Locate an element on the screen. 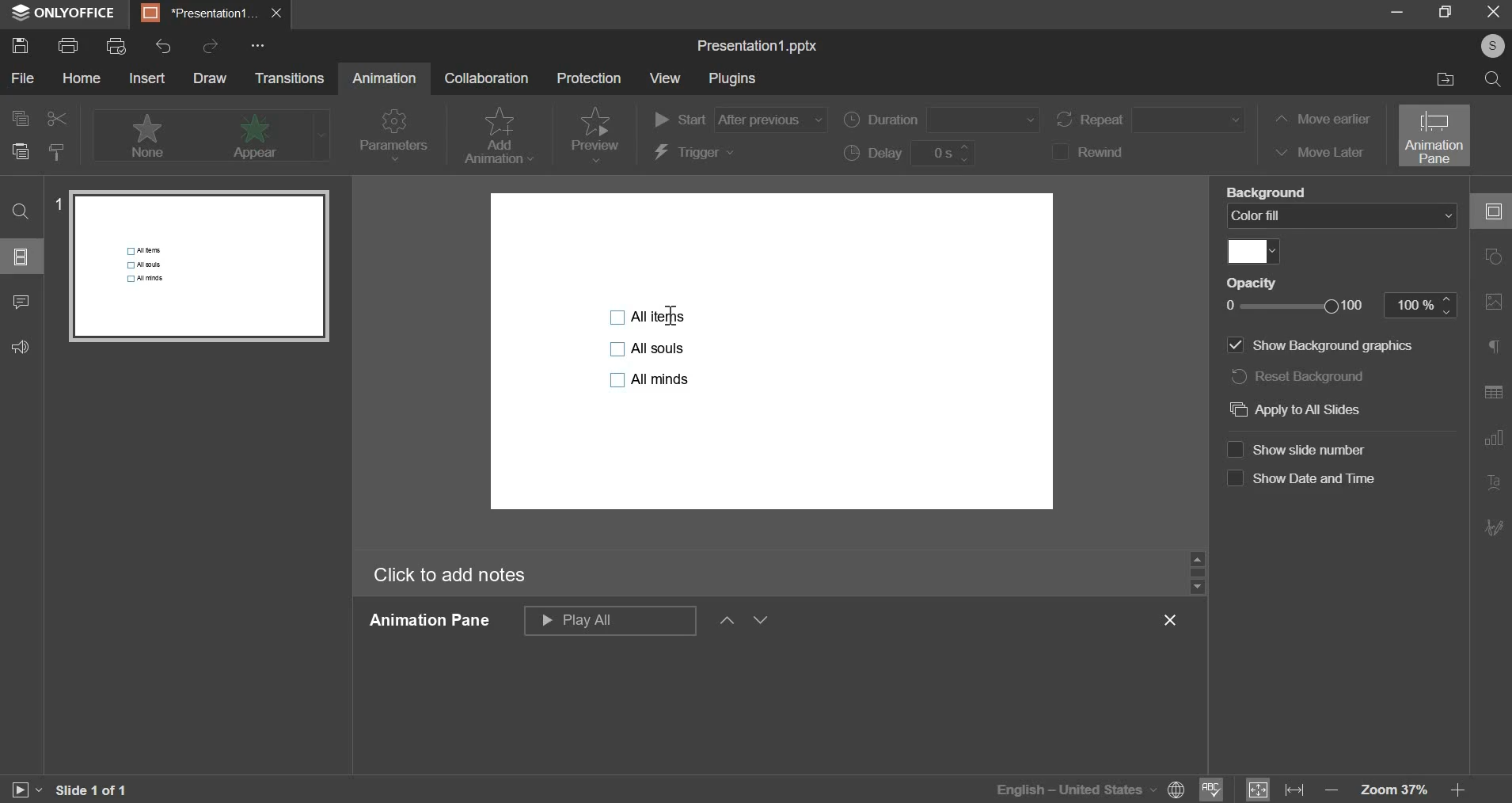 Image resolution: width=1512 pixels, height=803 pixels. slider is located at coordinates (1196, 571).